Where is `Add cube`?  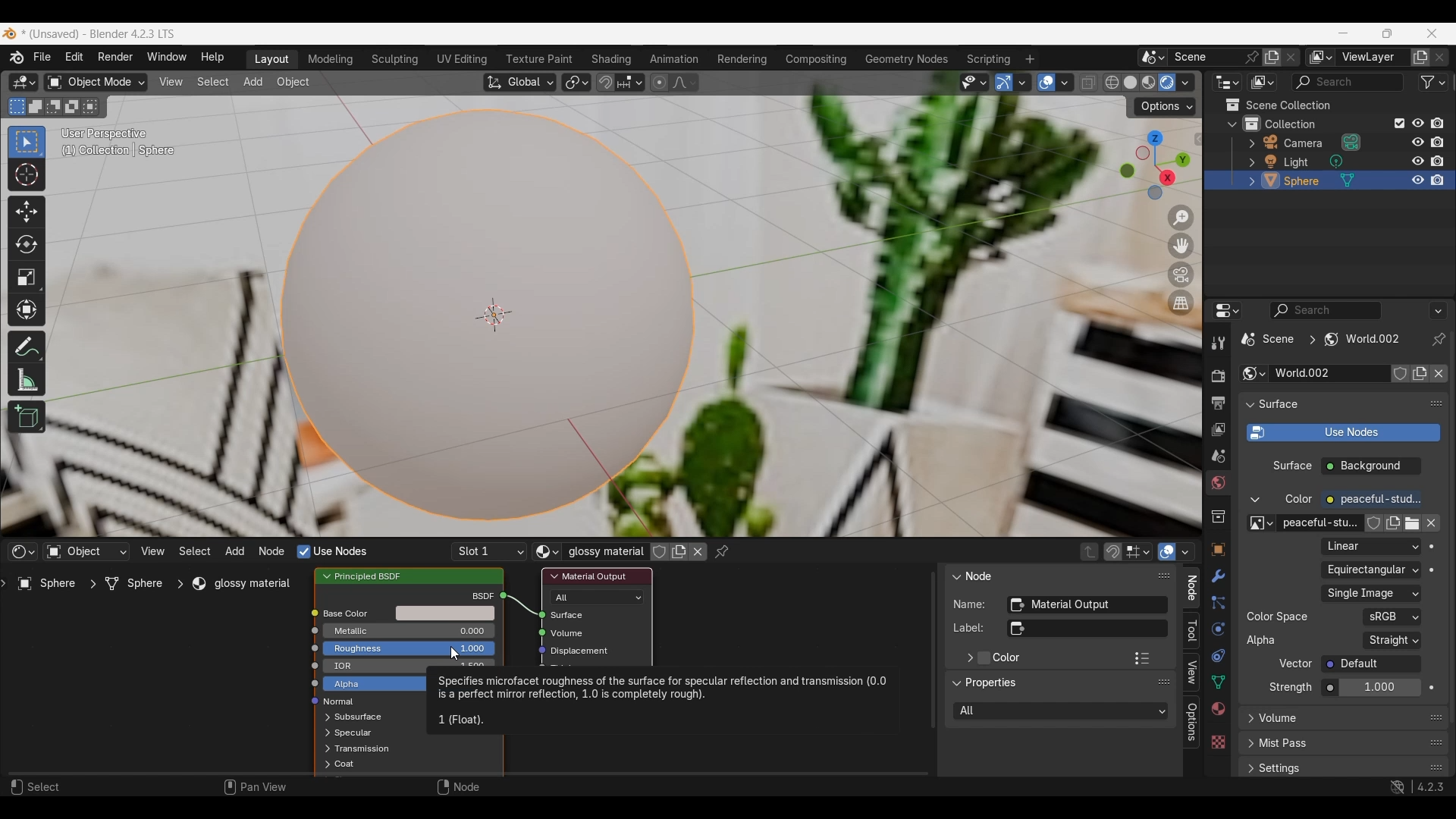
Add cube is located at coordinates (27, 416).